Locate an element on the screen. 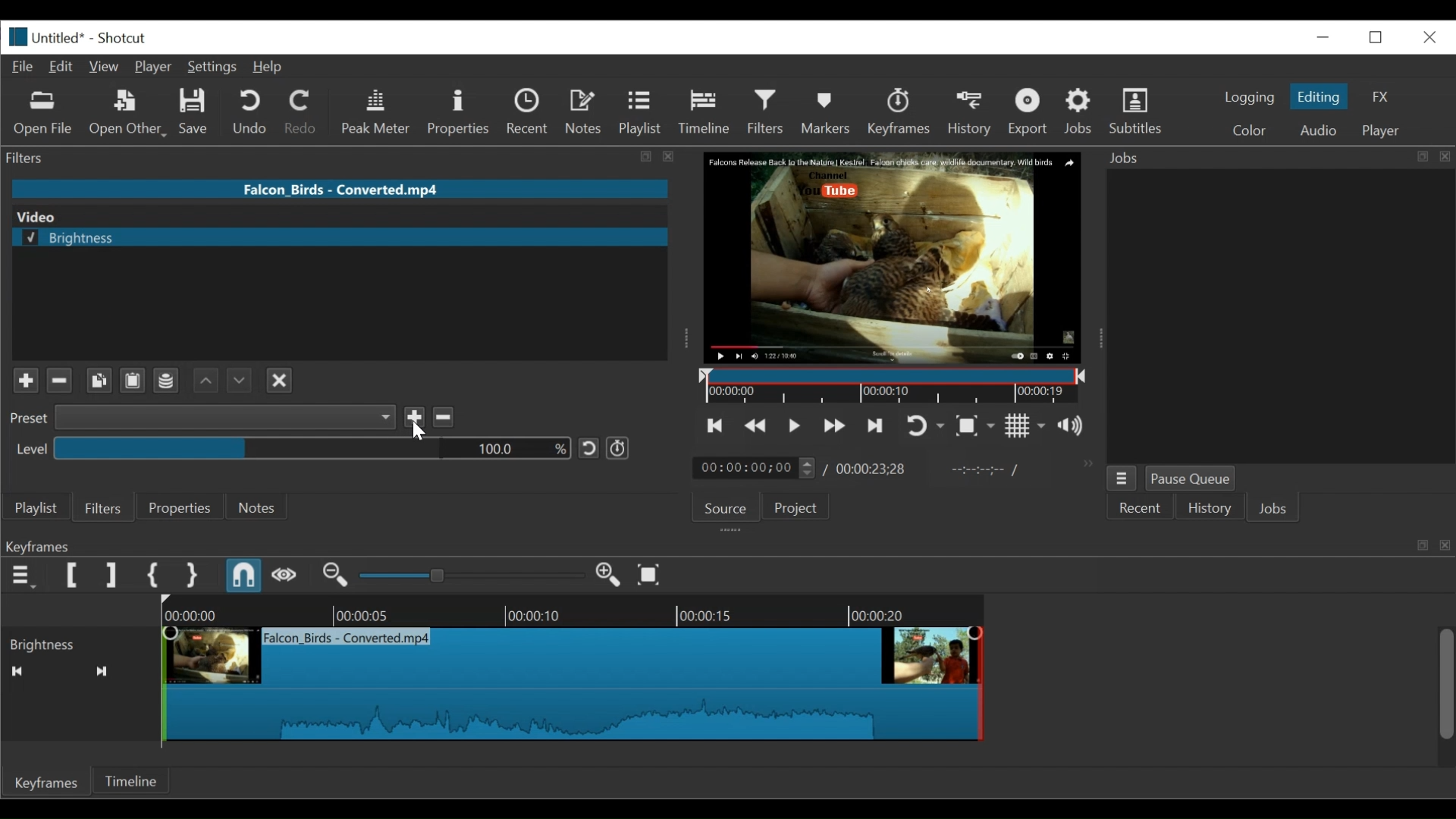  Keyframe is located at coordinates (795, 681).